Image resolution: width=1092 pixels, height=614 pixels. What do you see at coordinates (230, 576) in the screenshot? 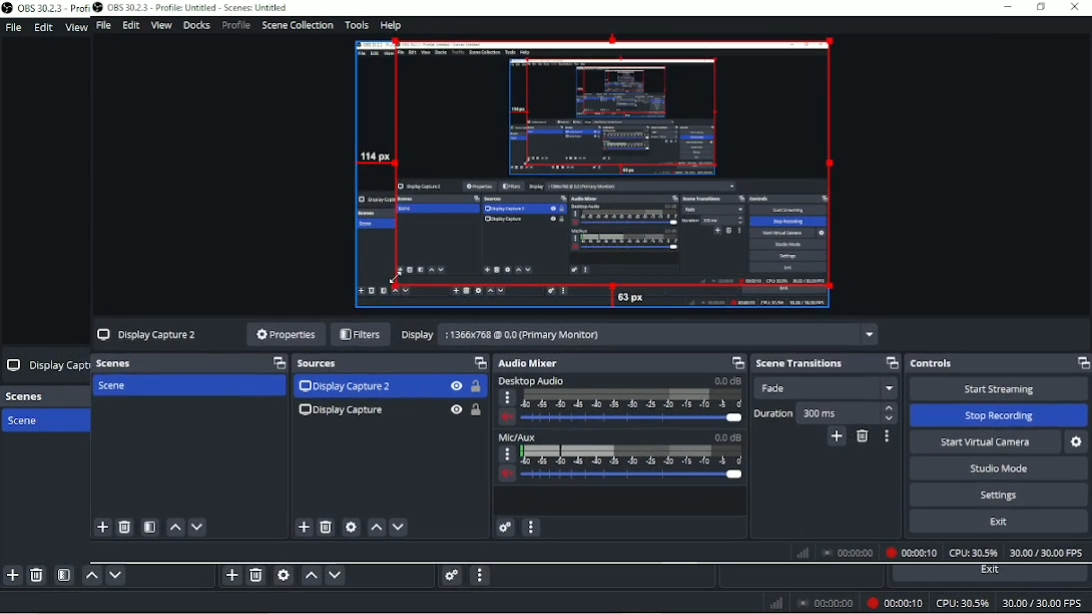
I see `Add source` at bounding box center [230, 576].